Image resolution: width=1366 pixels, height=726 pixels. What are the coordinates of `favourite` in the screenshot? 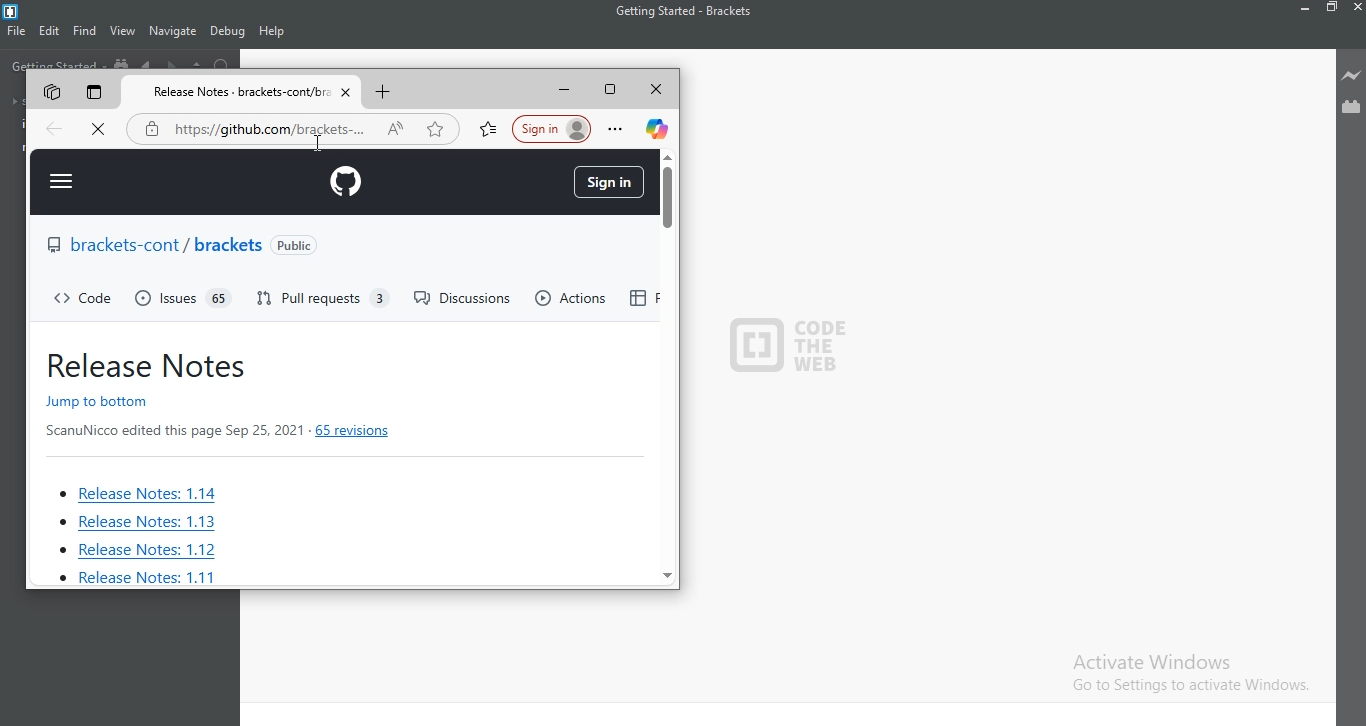 It's located at (436, 129).